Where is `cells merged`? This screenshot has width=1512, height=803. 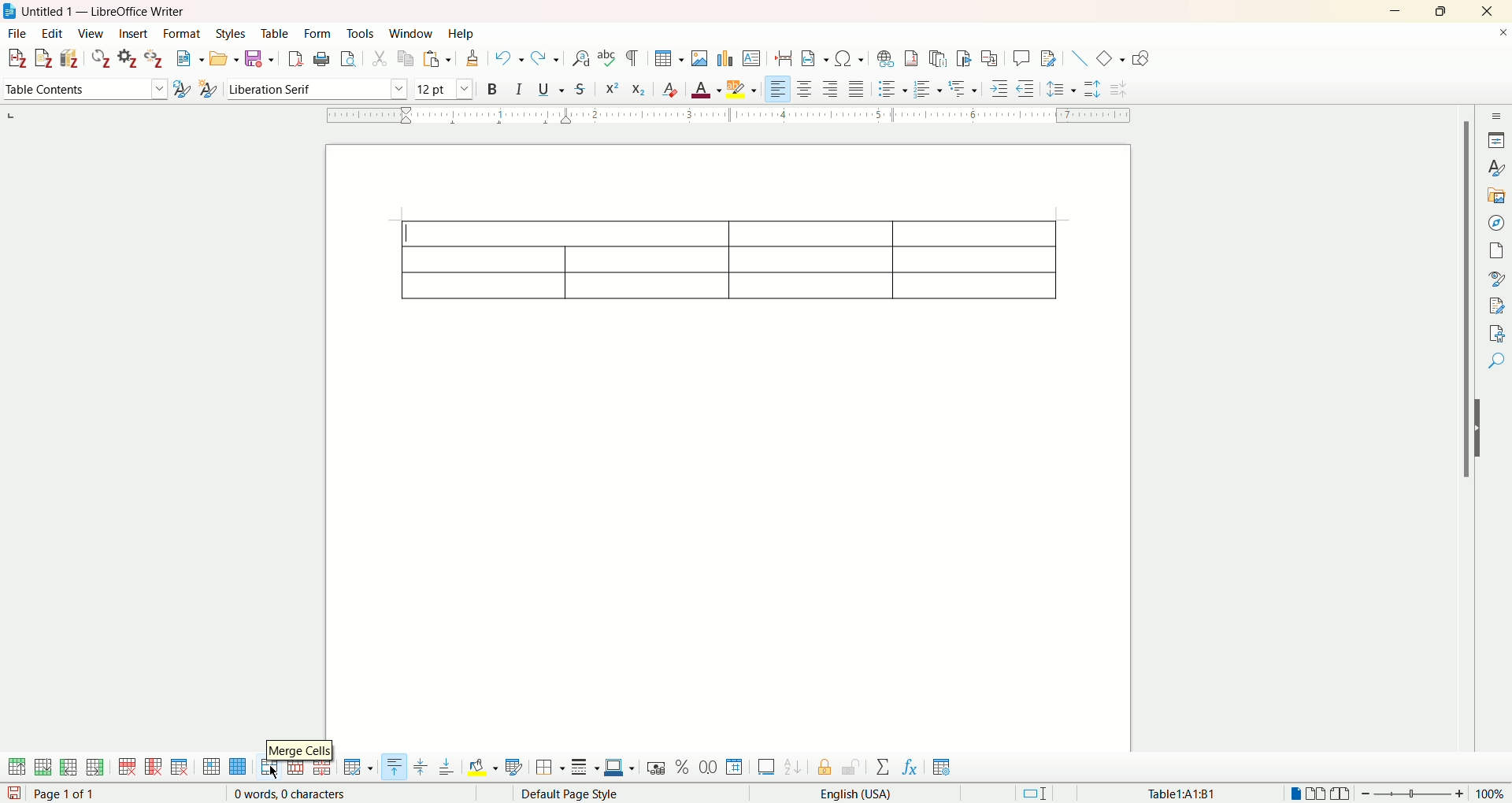
cells merged is located at coordinates (563, 234).